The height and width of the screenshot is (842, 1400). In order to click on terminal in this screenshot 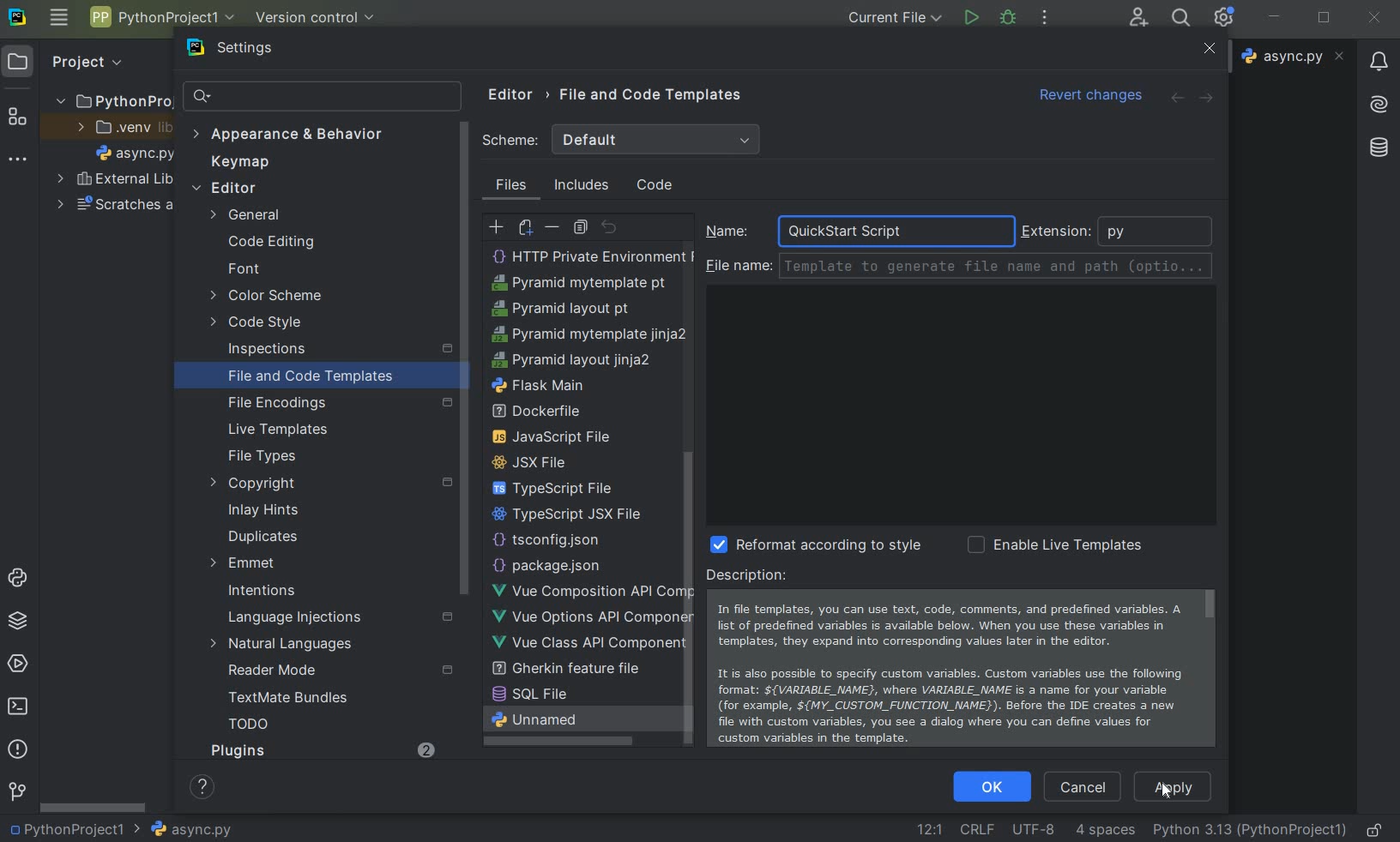, I will do `click(19, 705)`.